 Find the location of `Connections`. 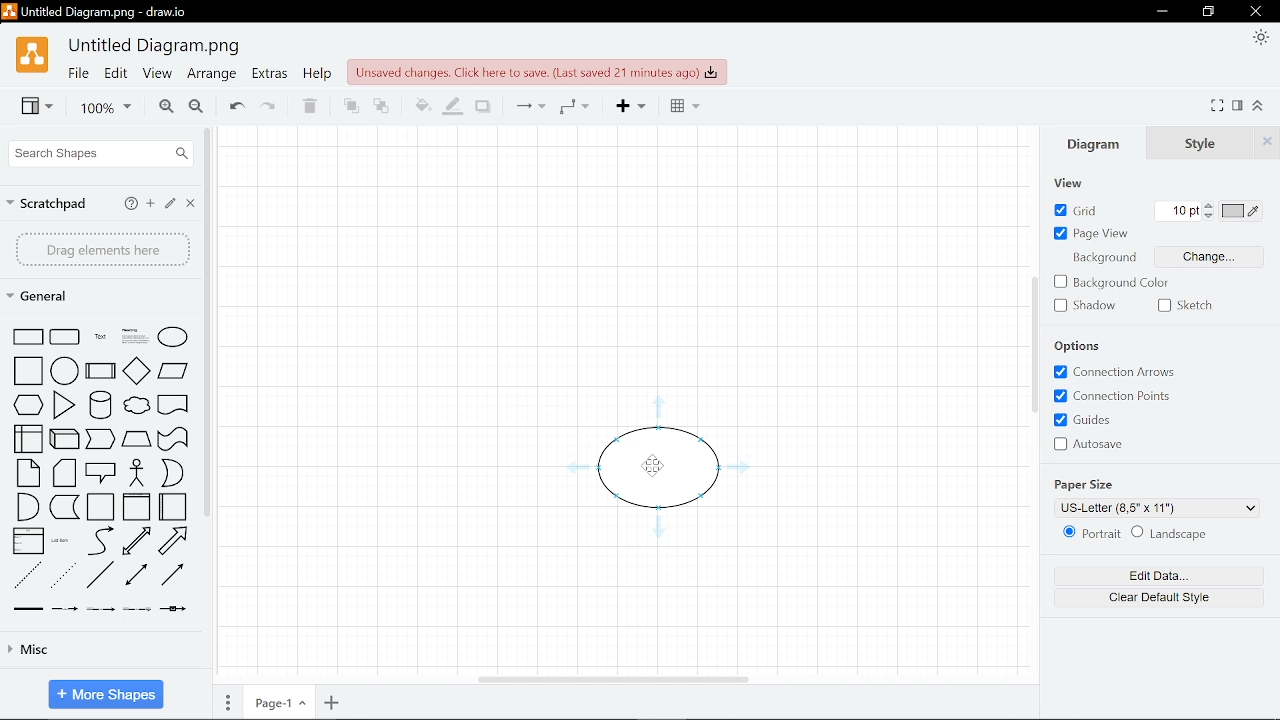

Connections is located at coordinates (525, 107).